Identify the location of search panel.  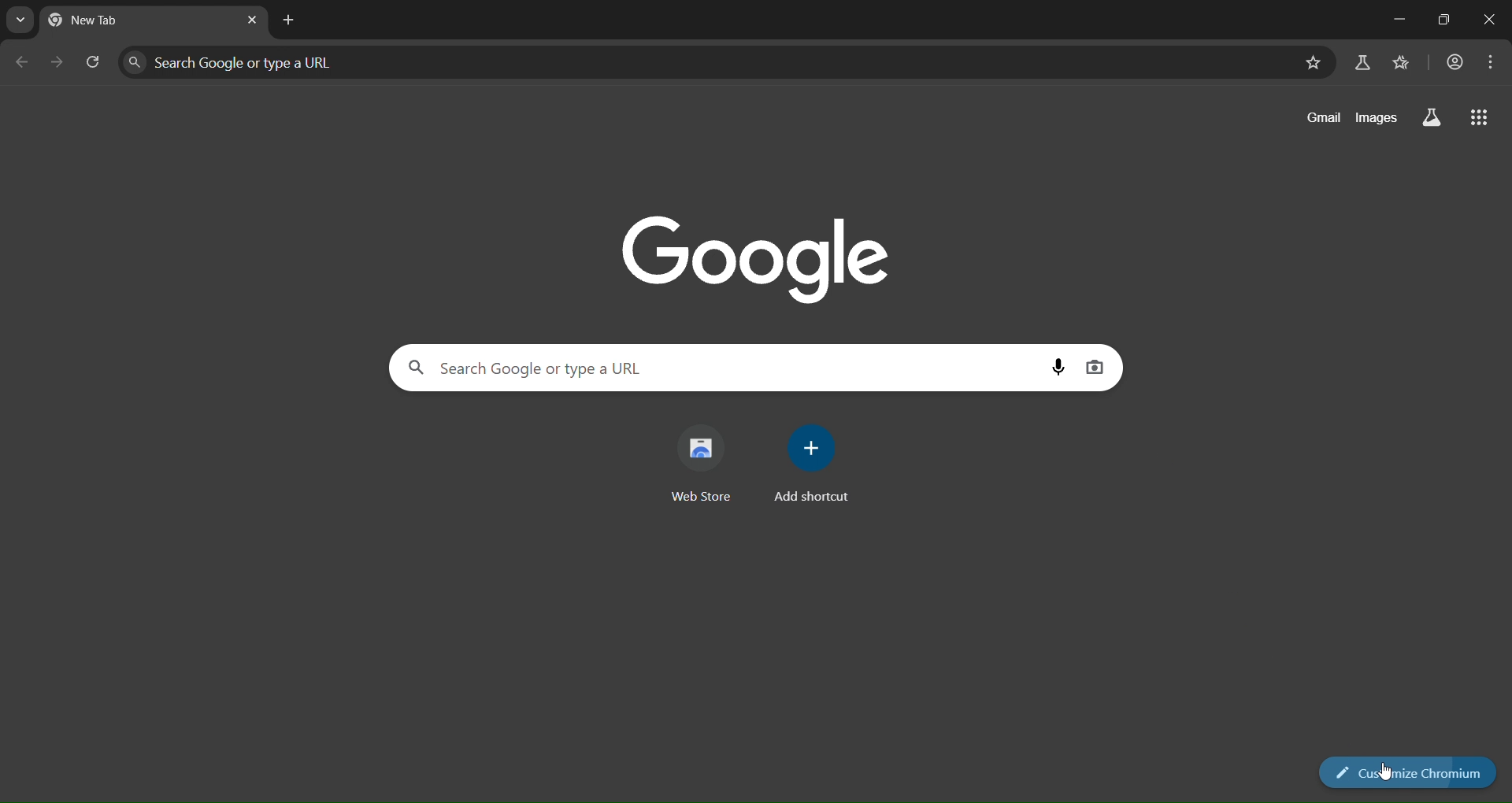
(567, 368).